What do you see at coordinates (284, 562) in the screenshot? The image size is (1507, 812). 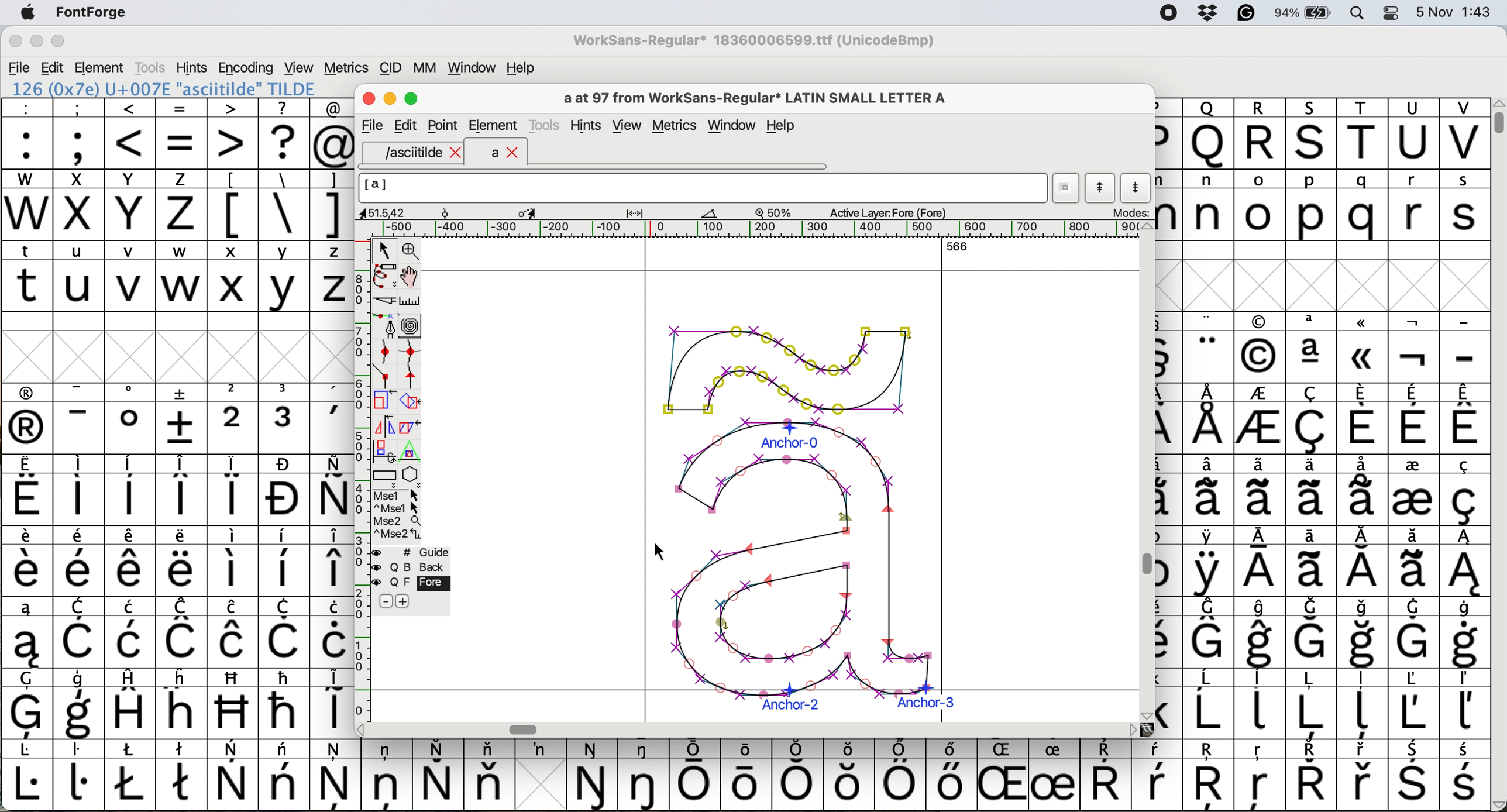 I see `symbol` at bounding box center [284, 562].